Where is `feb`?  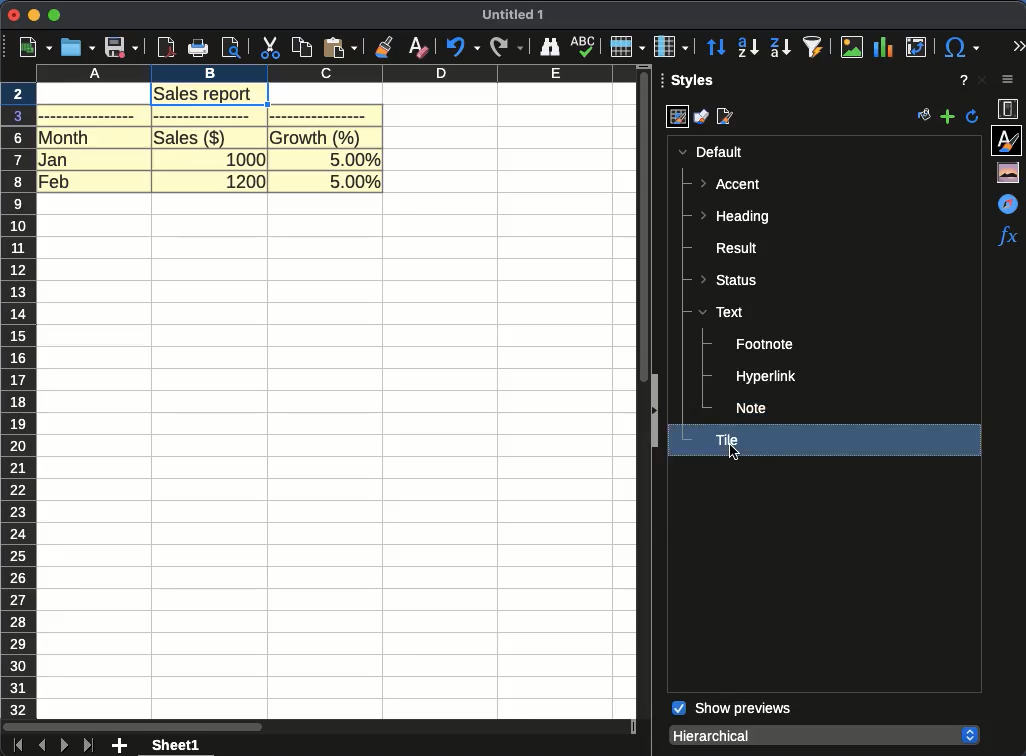
feb is located at coordinates (54, 180).